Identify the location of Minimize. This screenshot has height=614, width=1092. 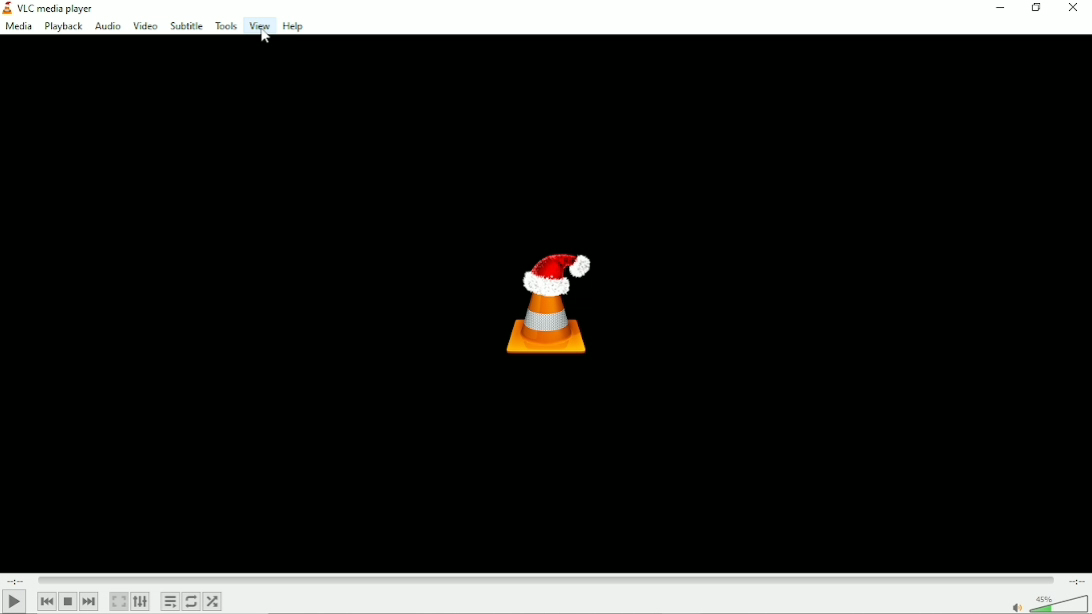
(1004, 8).